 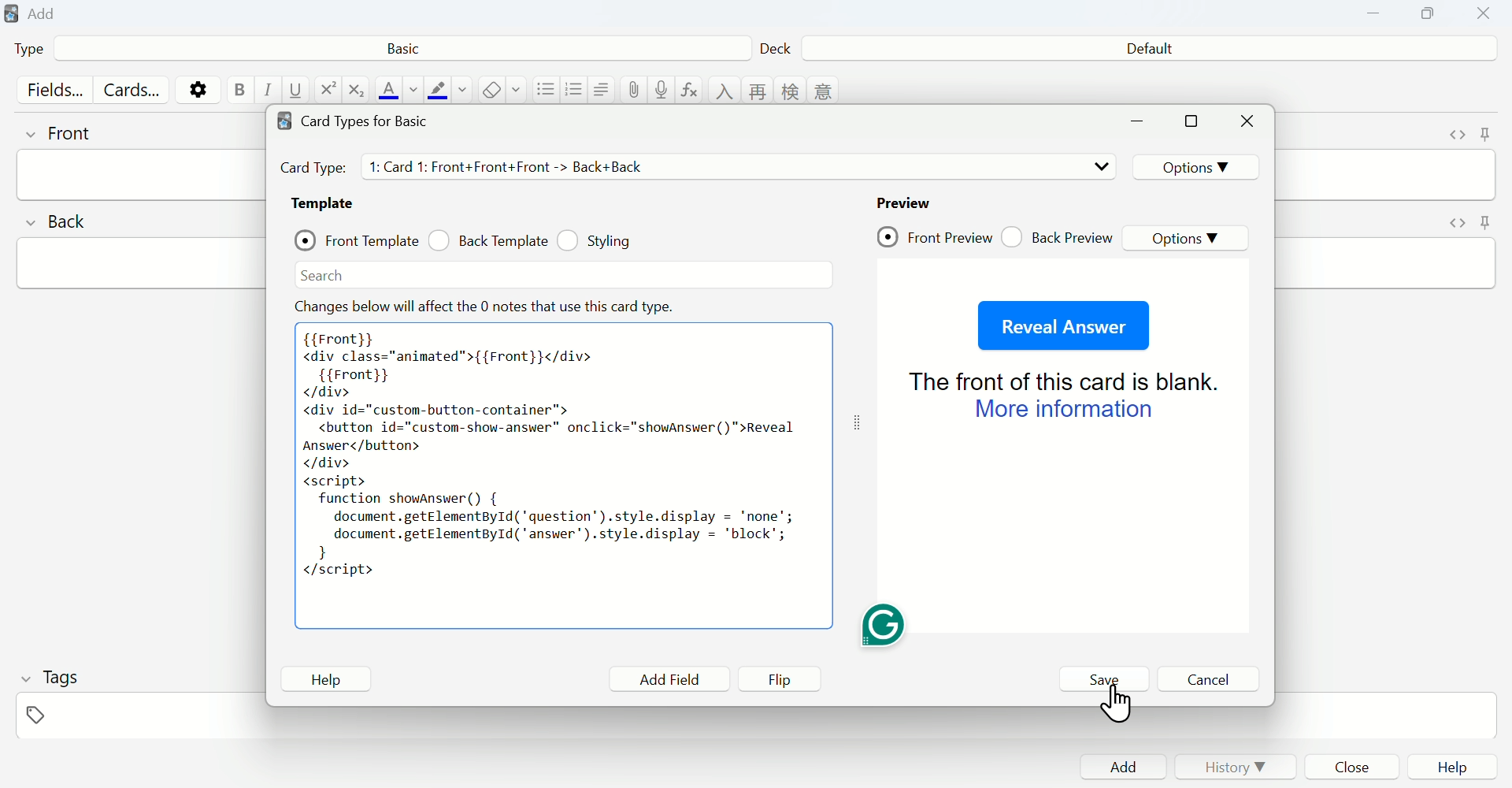 What do you see at coordinates (564, 274) in the screenshot?
I see `Search bar` at bounding box center [564, 274].